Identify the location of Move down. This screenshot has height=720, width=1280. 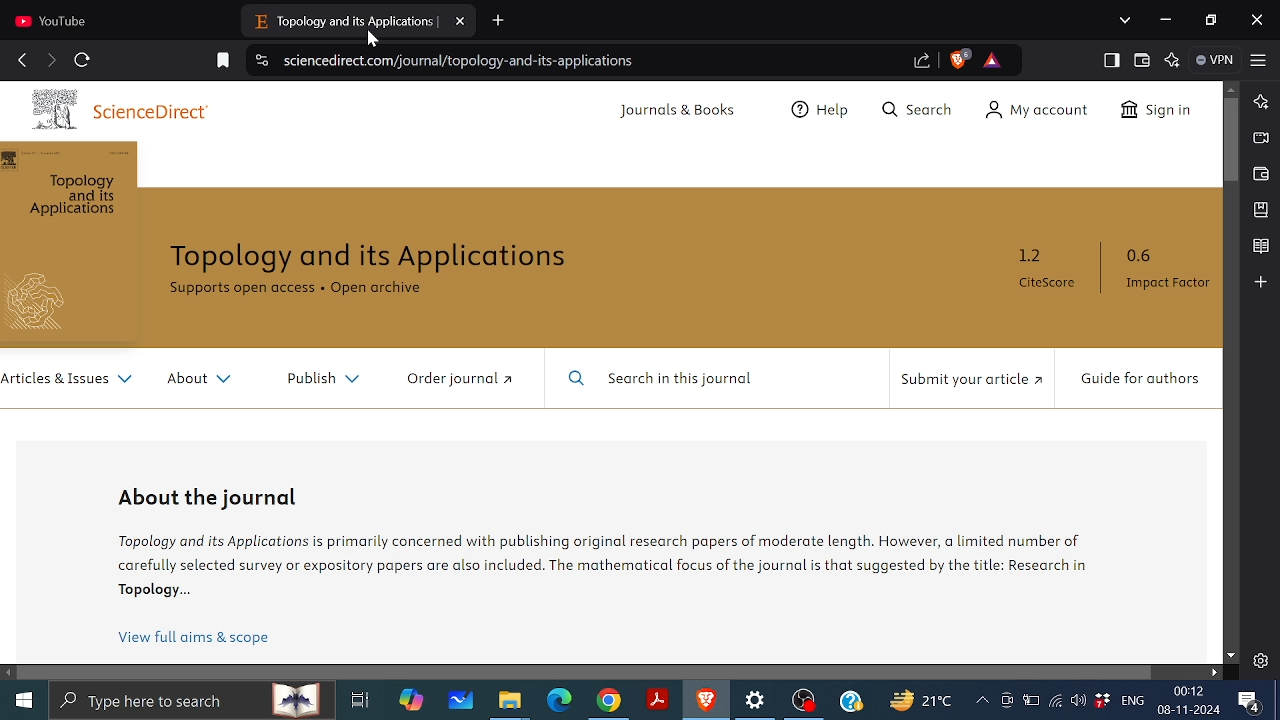
(1231, 656).